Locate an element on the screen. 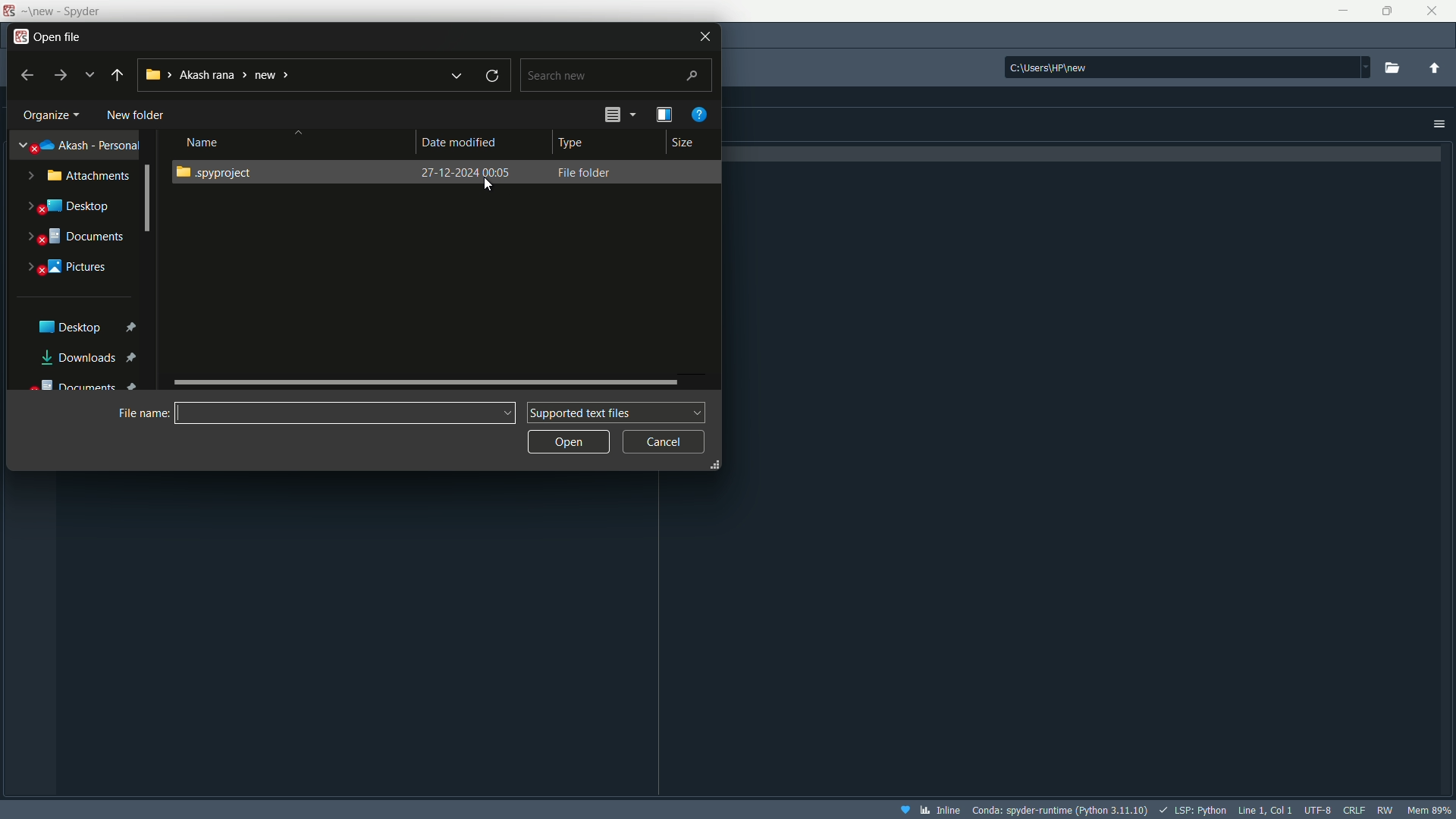  name bar is located at coordinates (345, 411).